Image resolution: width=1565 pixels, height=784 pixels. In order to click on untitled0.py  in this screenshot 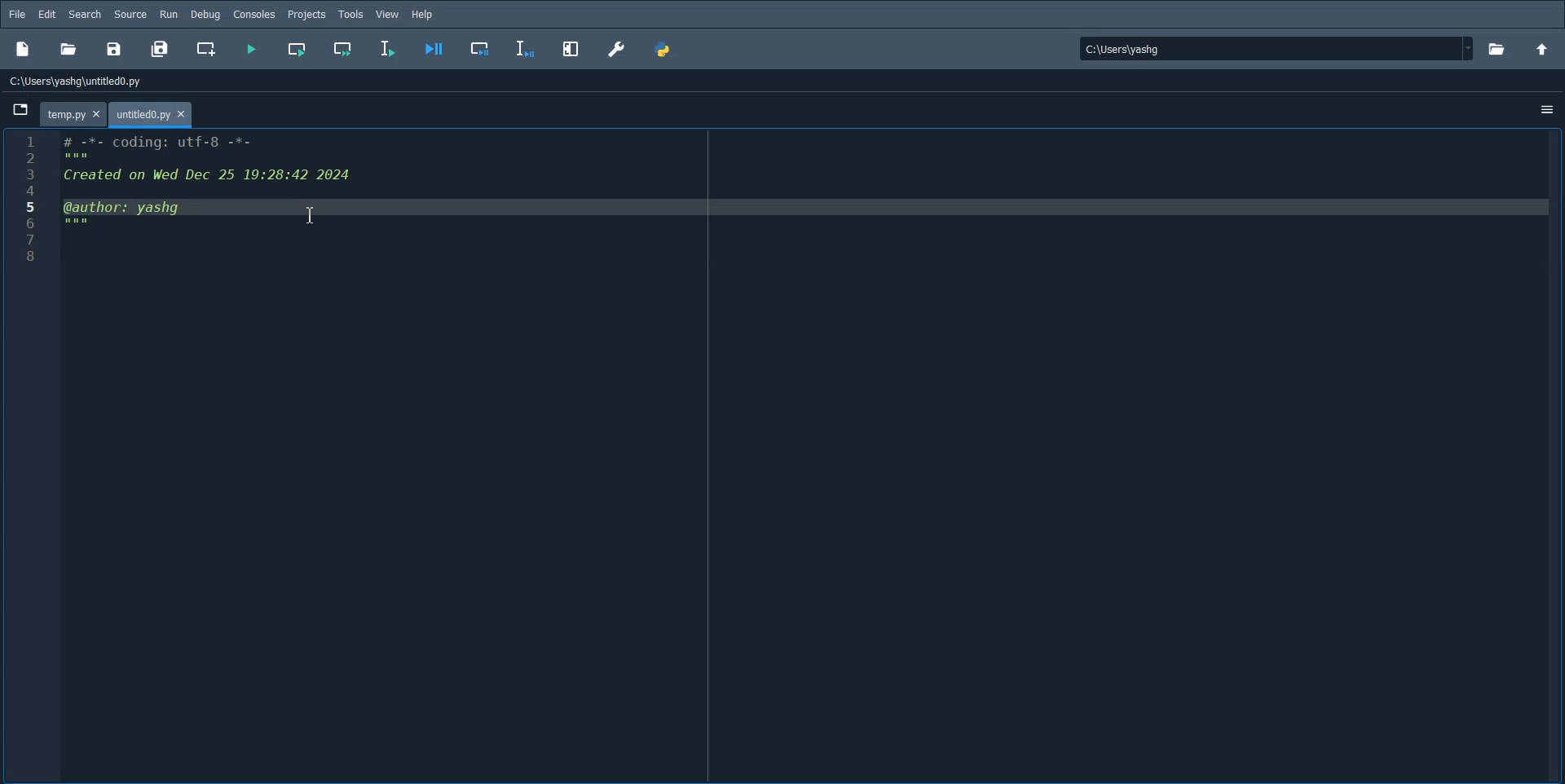, I will do `click(151, 116)`.